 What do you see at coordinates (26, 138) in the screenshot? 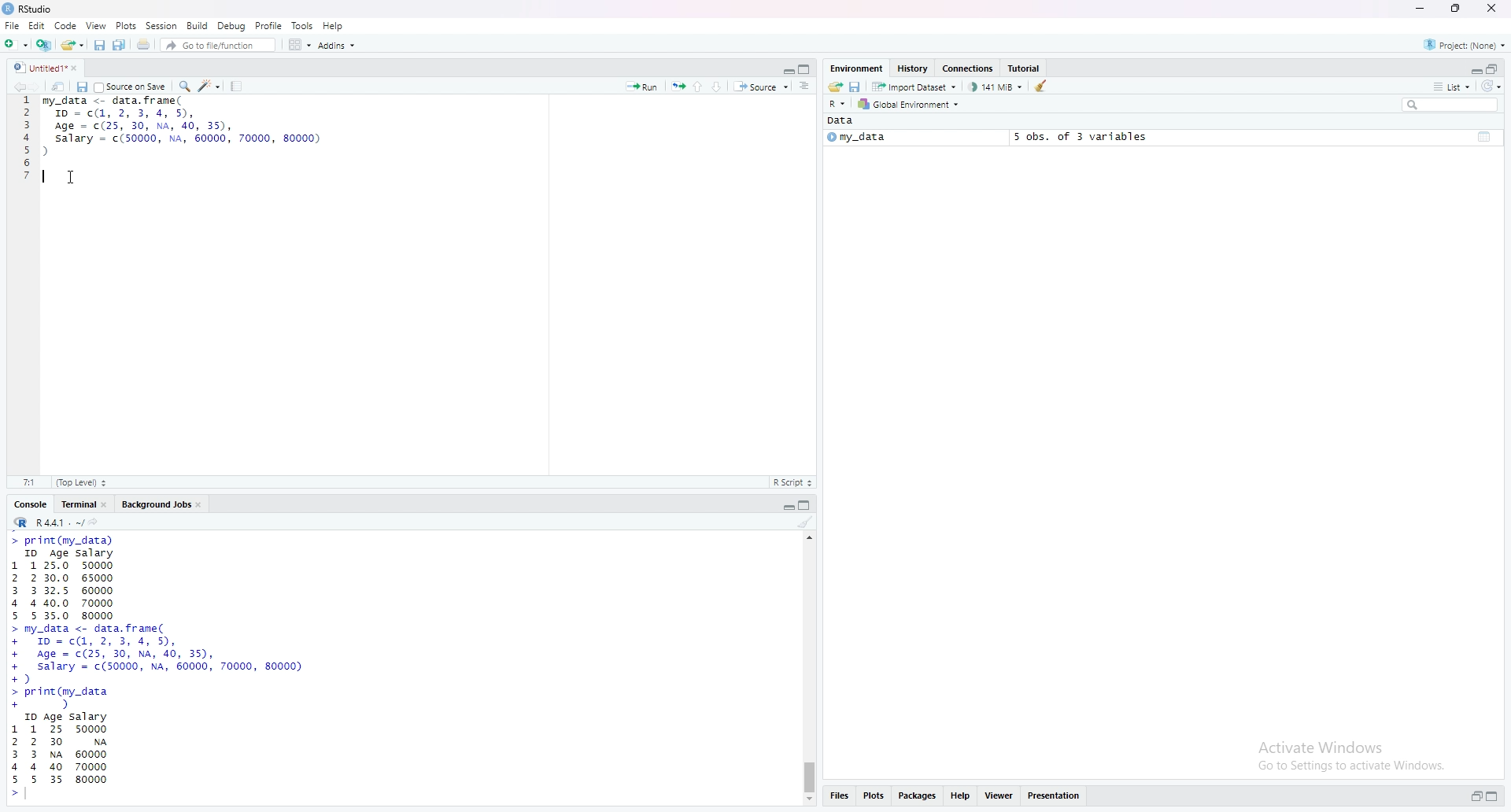
I see `line numbers` at bounding box center [26, 138].